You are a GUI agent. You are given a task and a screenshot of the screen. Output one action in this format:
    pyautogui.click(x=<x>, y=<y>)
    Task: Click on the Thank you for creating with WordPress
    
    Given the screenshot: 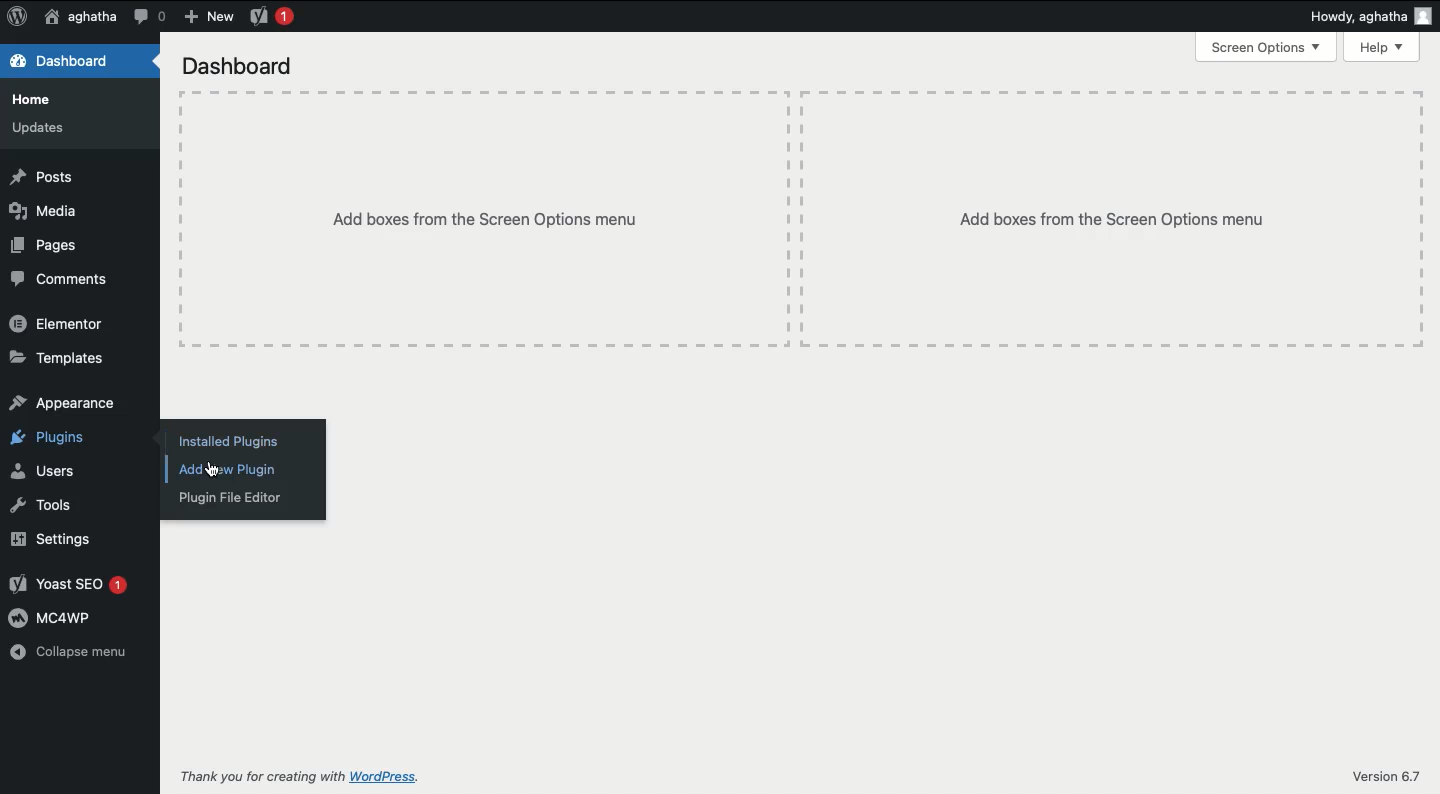 What is the action you would take?
    pyautogui.click(x=298, y=776)
    